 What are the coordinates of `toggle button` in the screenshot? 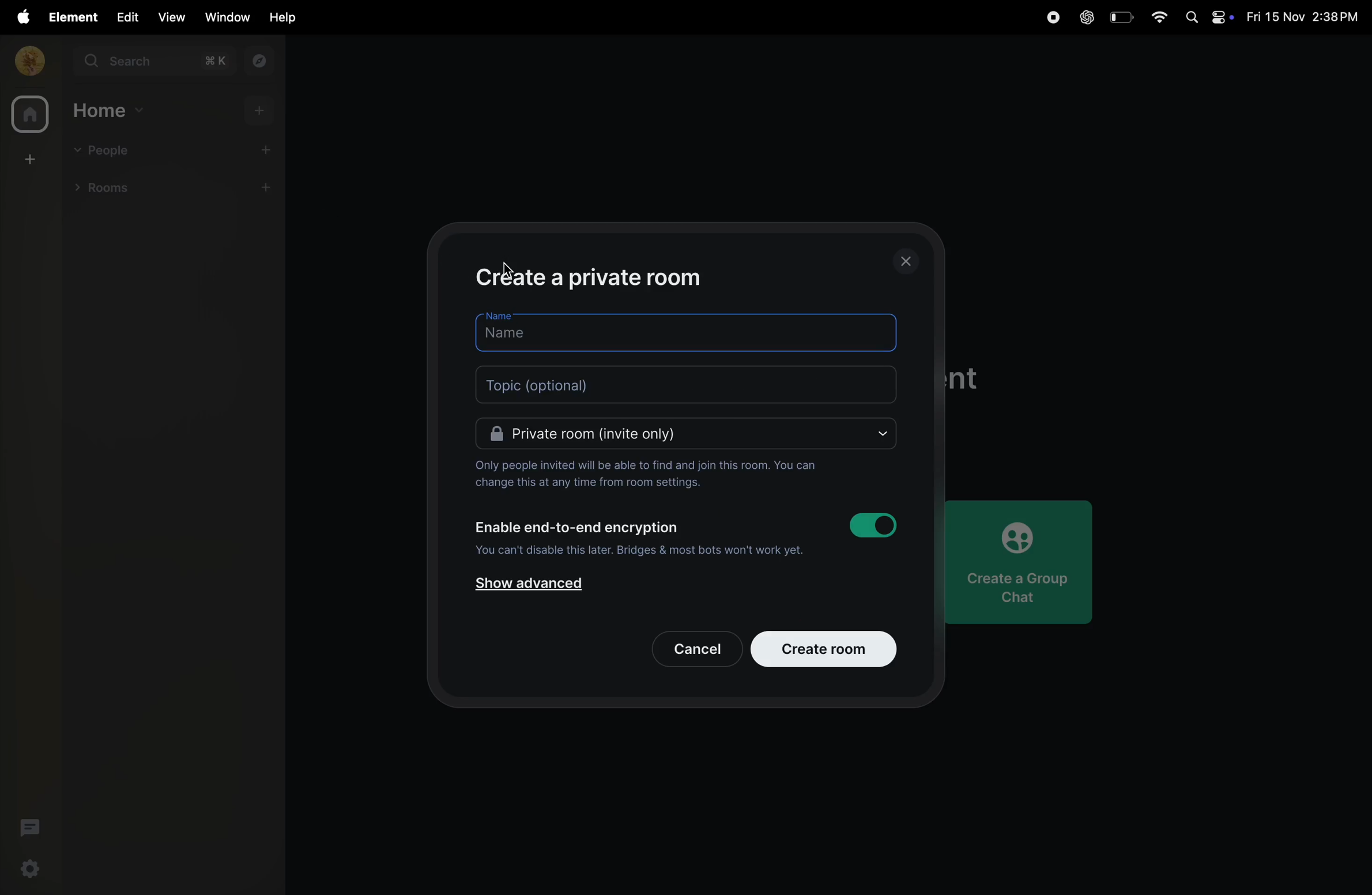 It's located at (875, 528).